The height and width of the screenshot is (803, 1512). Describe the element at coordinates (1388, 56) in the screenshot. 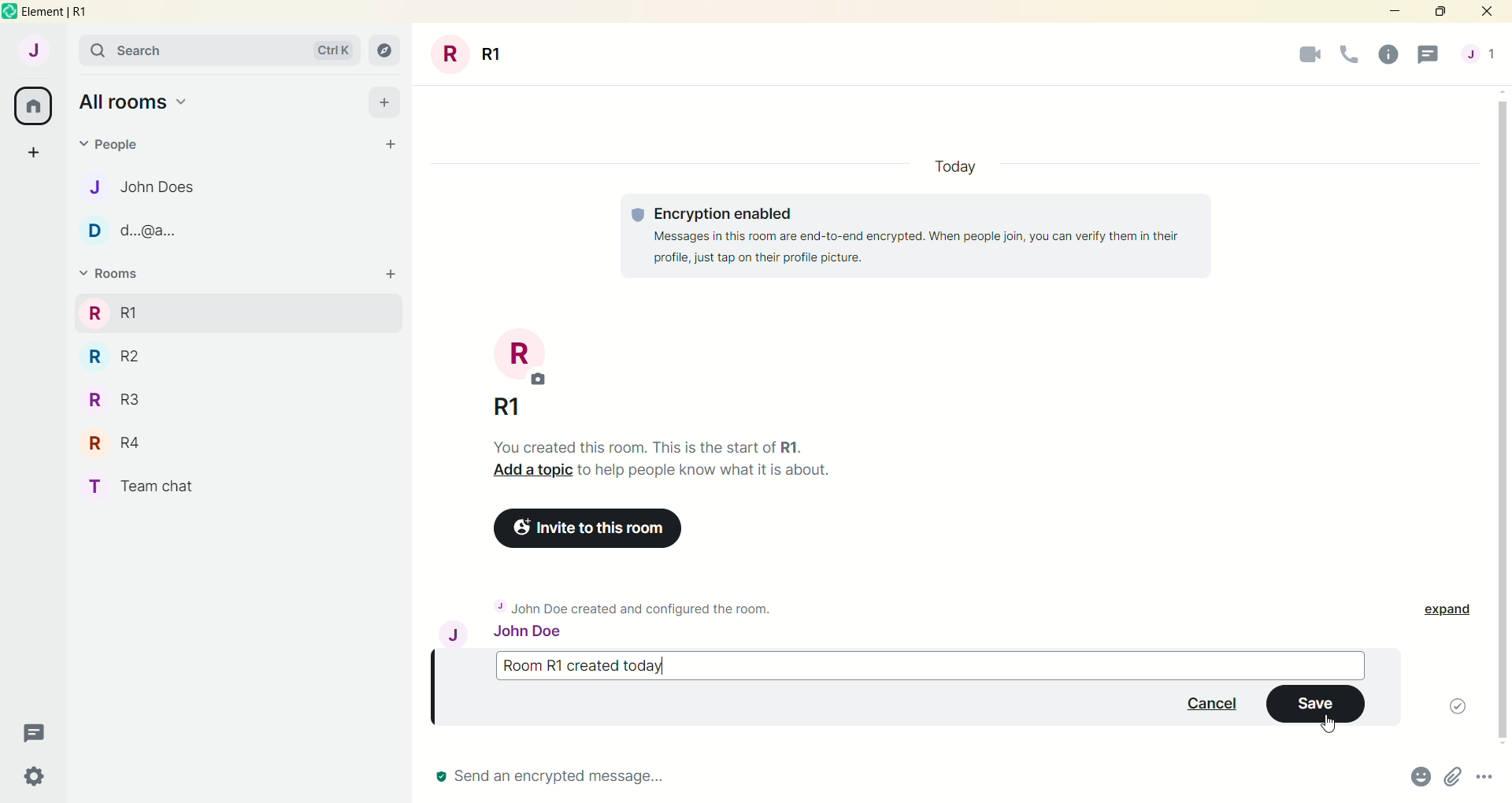

I see `room info` at that location.